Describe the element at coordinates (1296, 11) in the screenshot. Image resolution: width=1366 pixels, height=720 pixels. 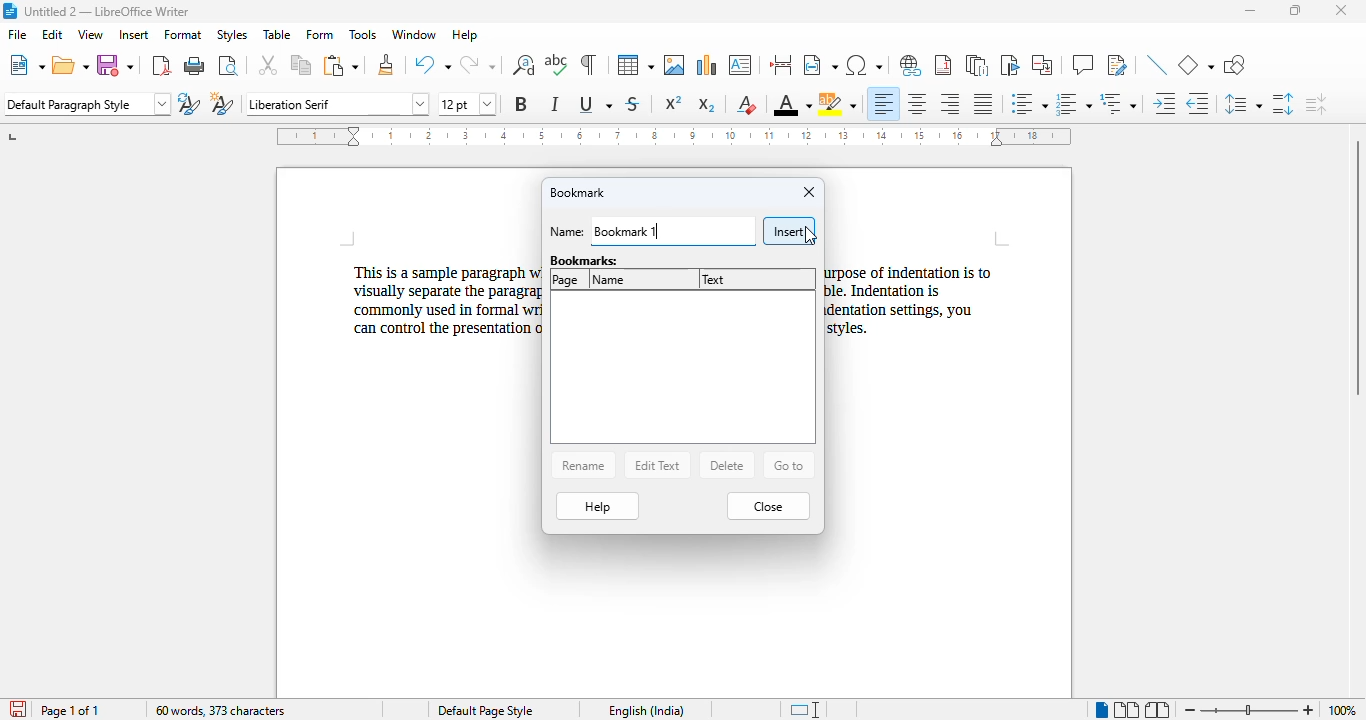
I see `maximize` at that location.